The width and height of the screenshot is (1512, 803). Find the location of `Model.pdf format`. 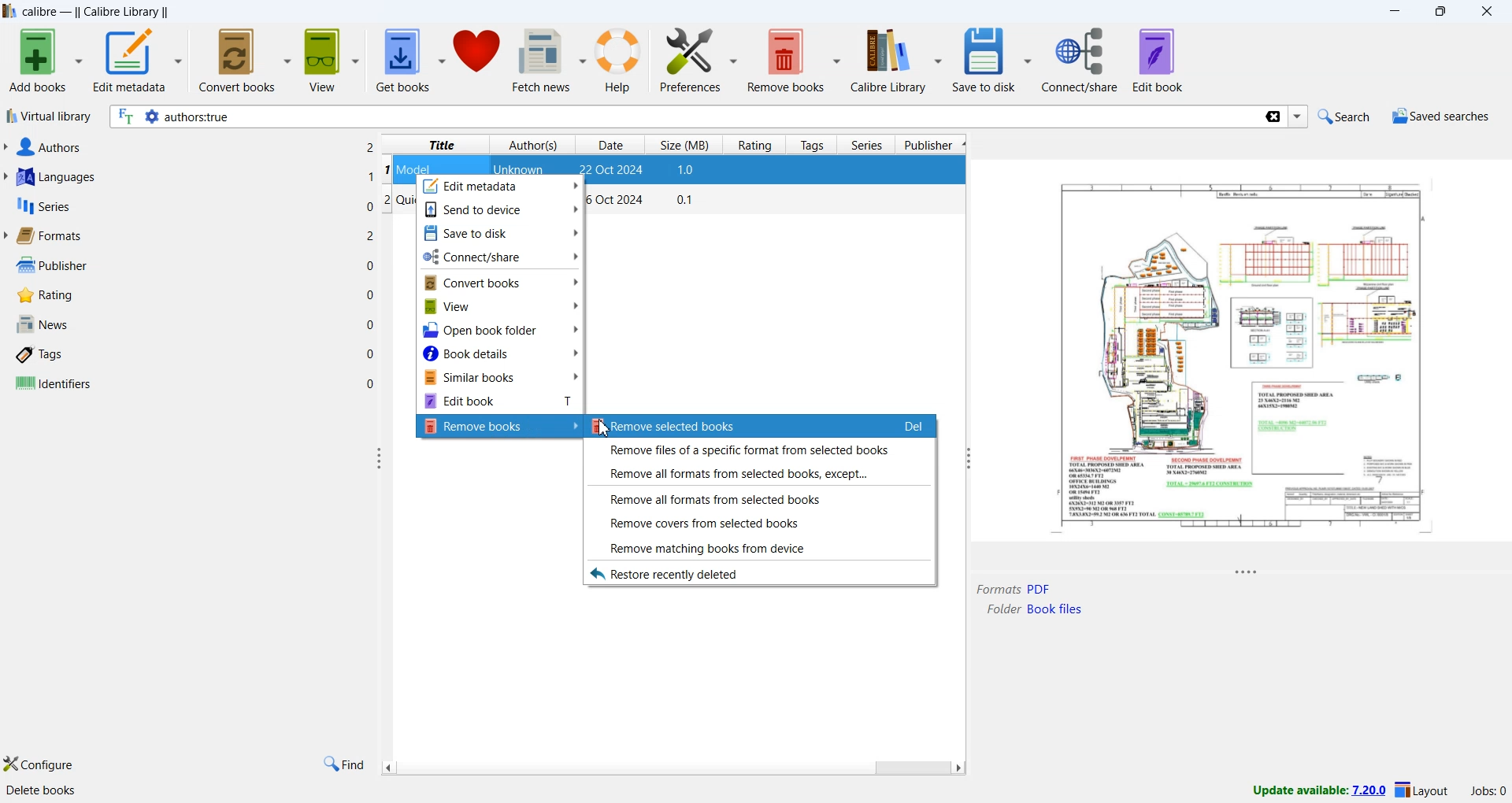

Model.pdf format is located at coordinates (1014, 589).